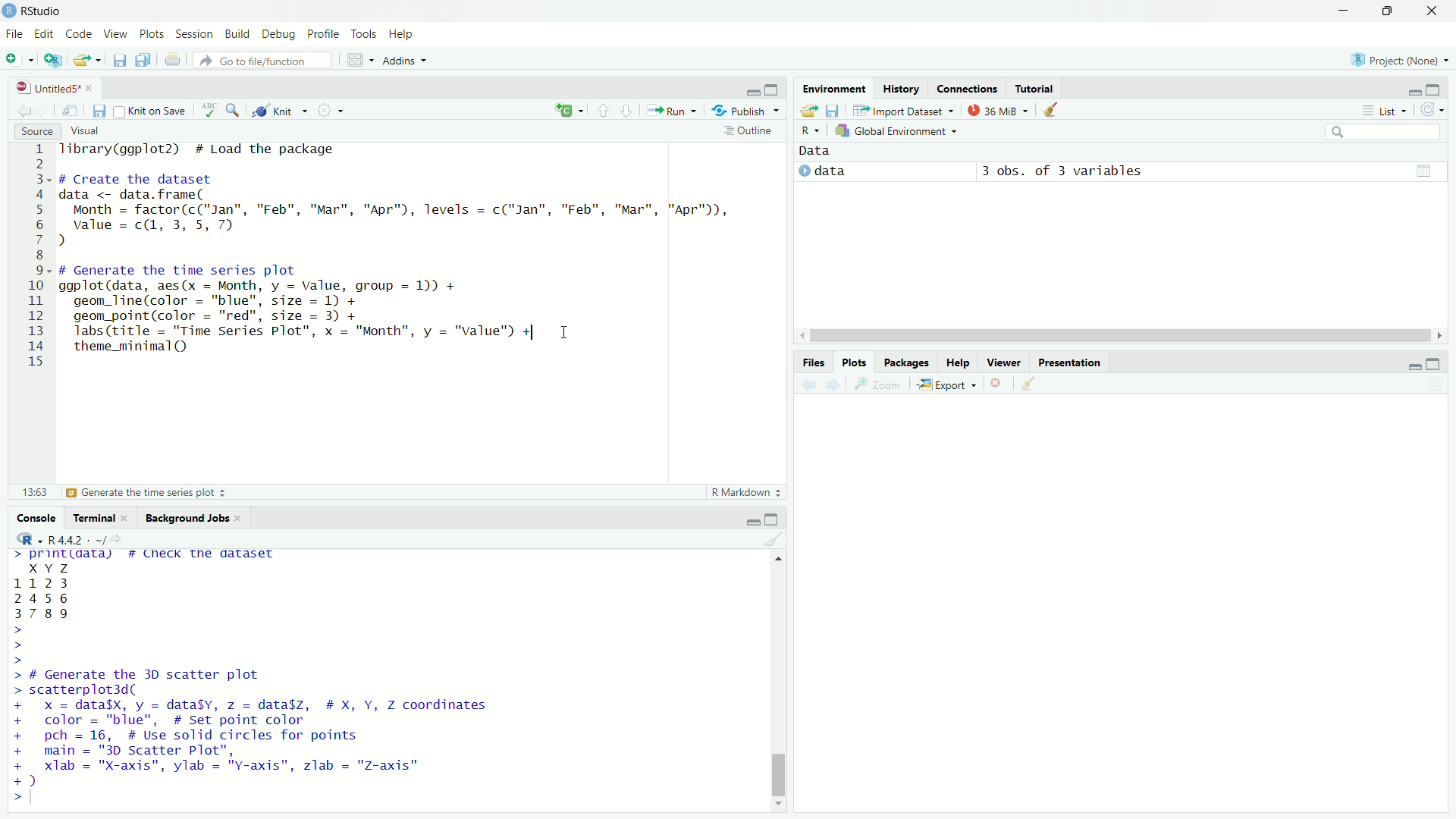 Image resolution: width=1456 pixels, height=819 pixels. I want to click on global environment, so click(899, 132).